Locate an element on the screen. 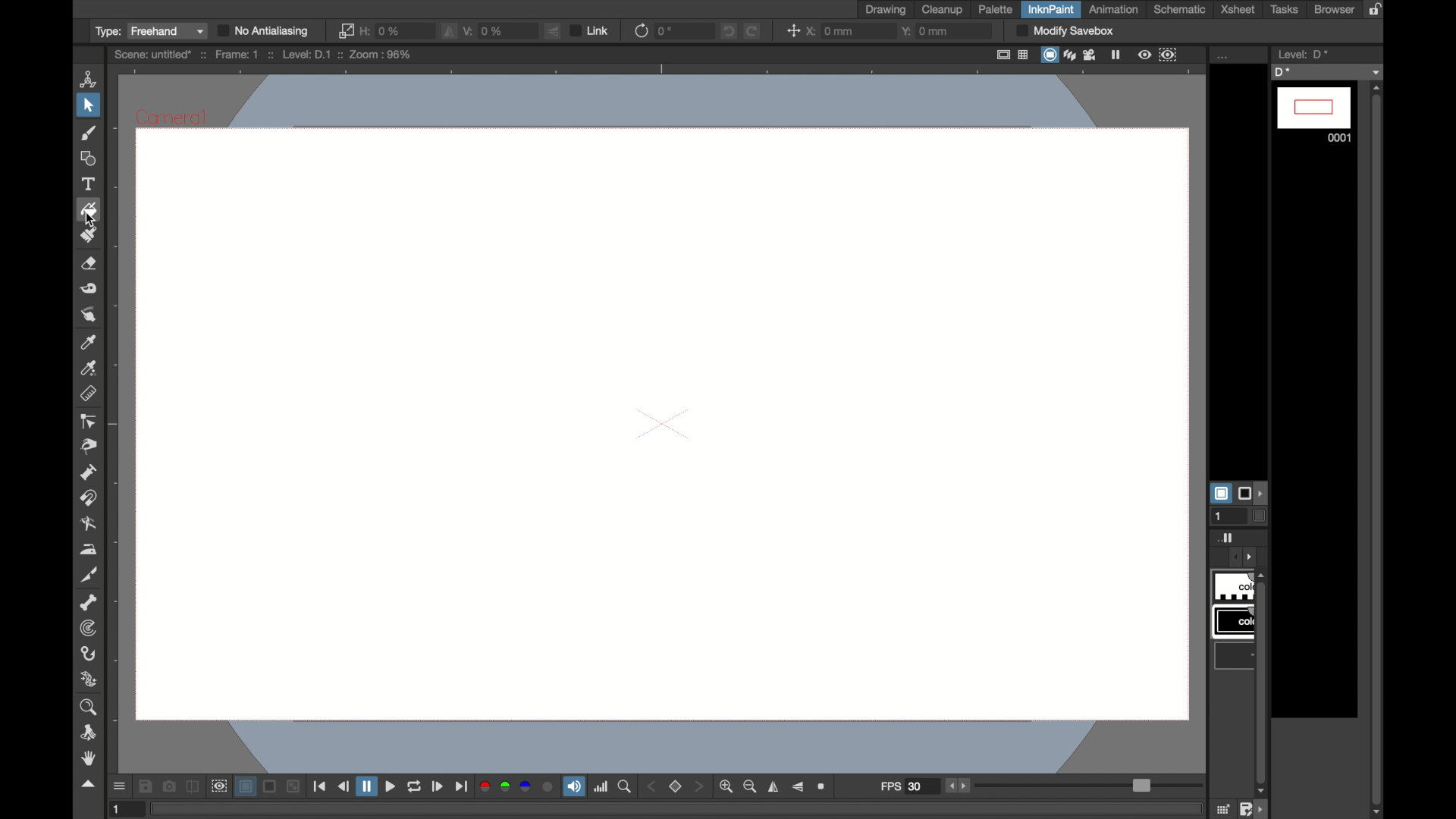 This screenshot has height=819, width=1456. first frame is located at coordinates (322, 786).